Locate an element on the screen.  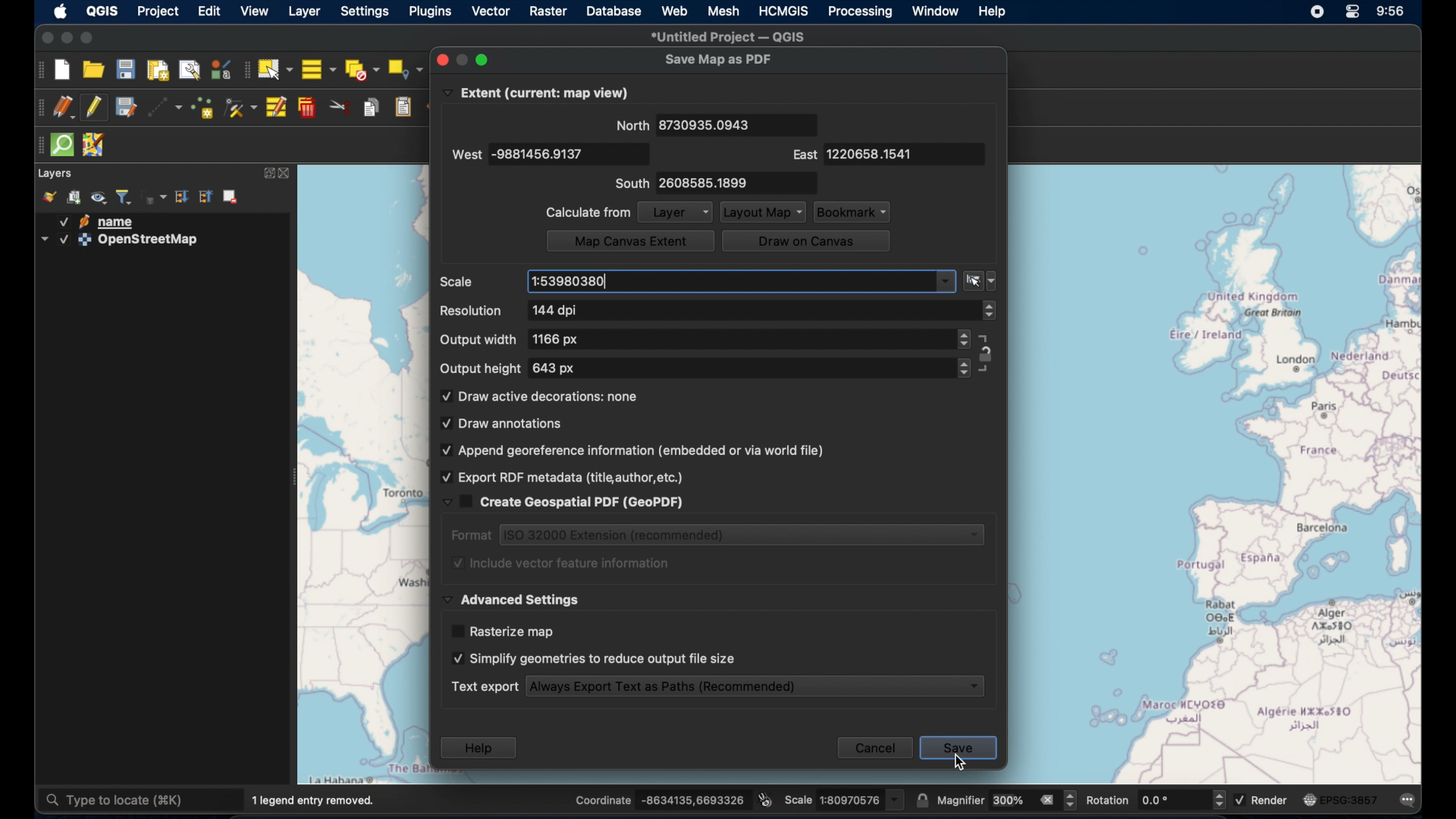
select all features is located at coordinates (318, 71).